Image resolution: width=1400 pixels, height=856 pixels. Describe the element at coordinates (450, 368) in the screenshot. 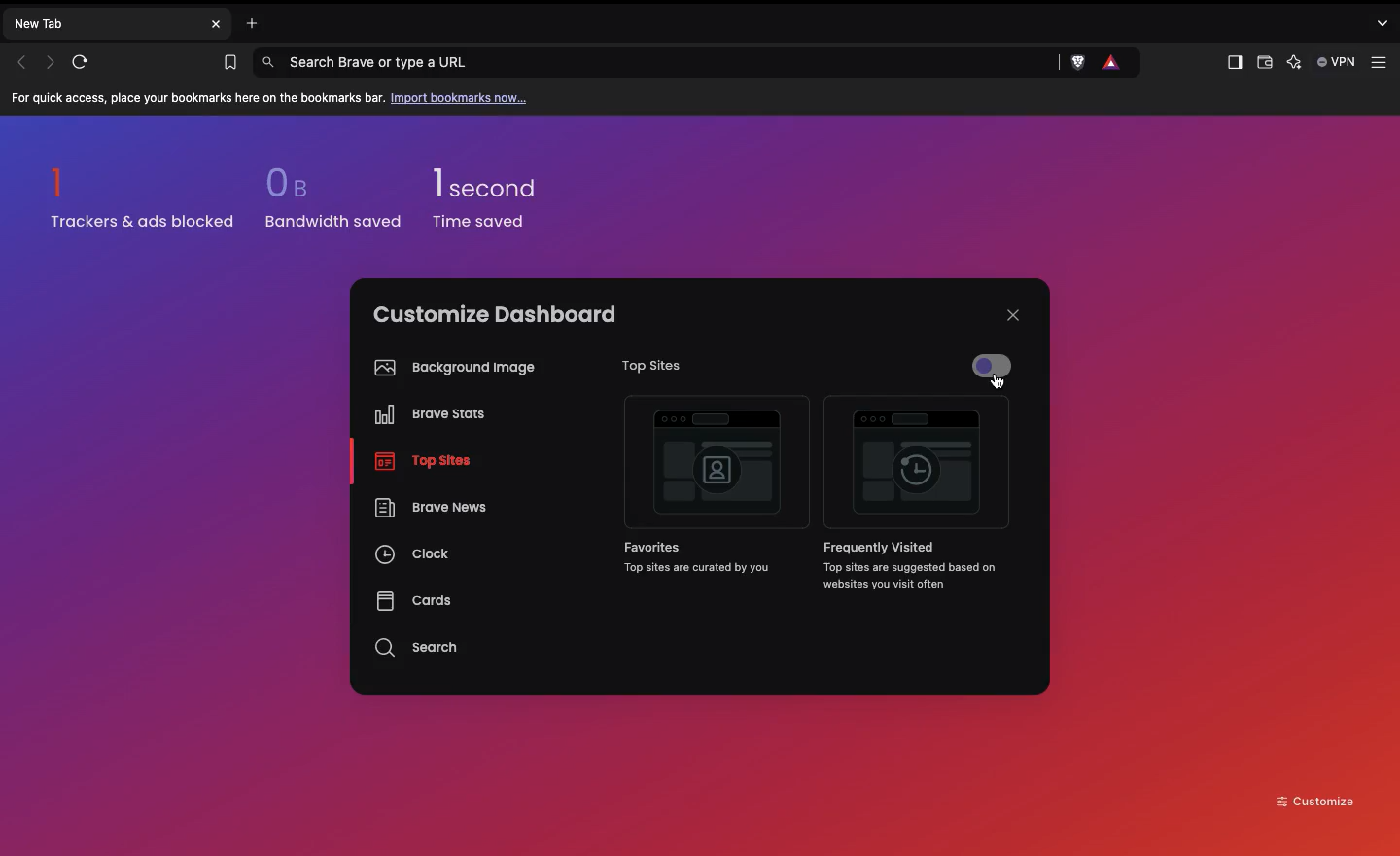

I see `Background image` at that location.